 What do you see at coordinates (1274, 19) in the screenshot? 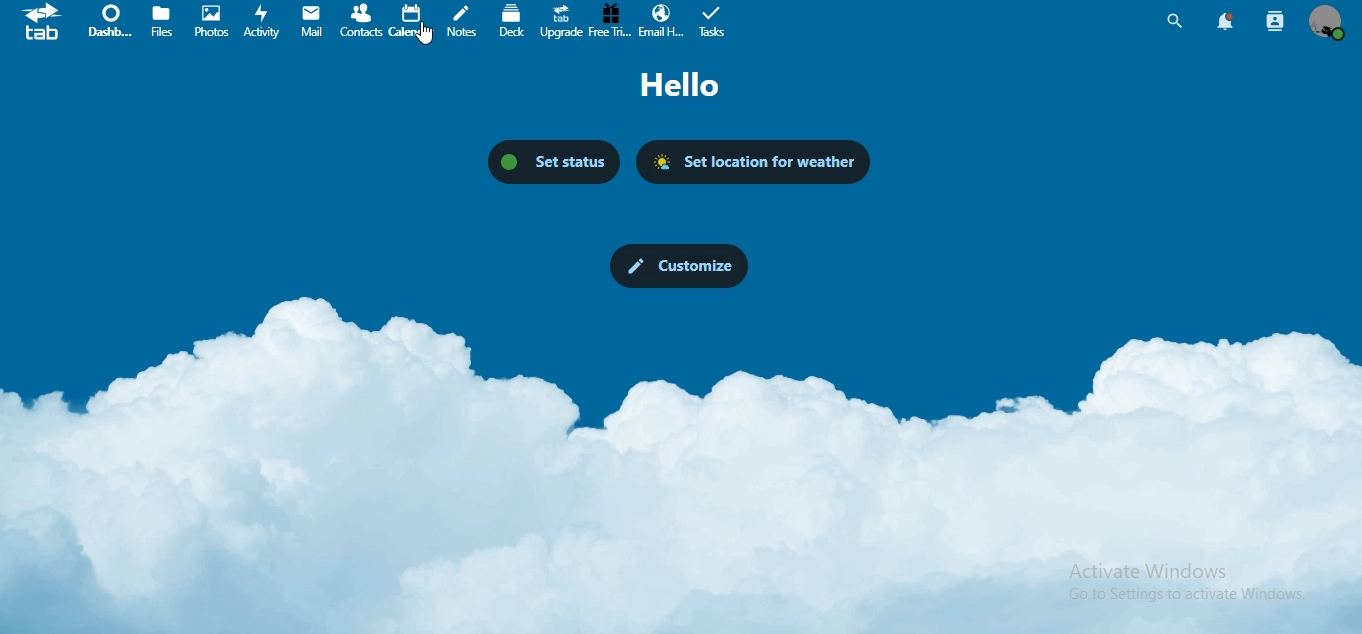
I see `search contact` at bounding box center [1274, 19].